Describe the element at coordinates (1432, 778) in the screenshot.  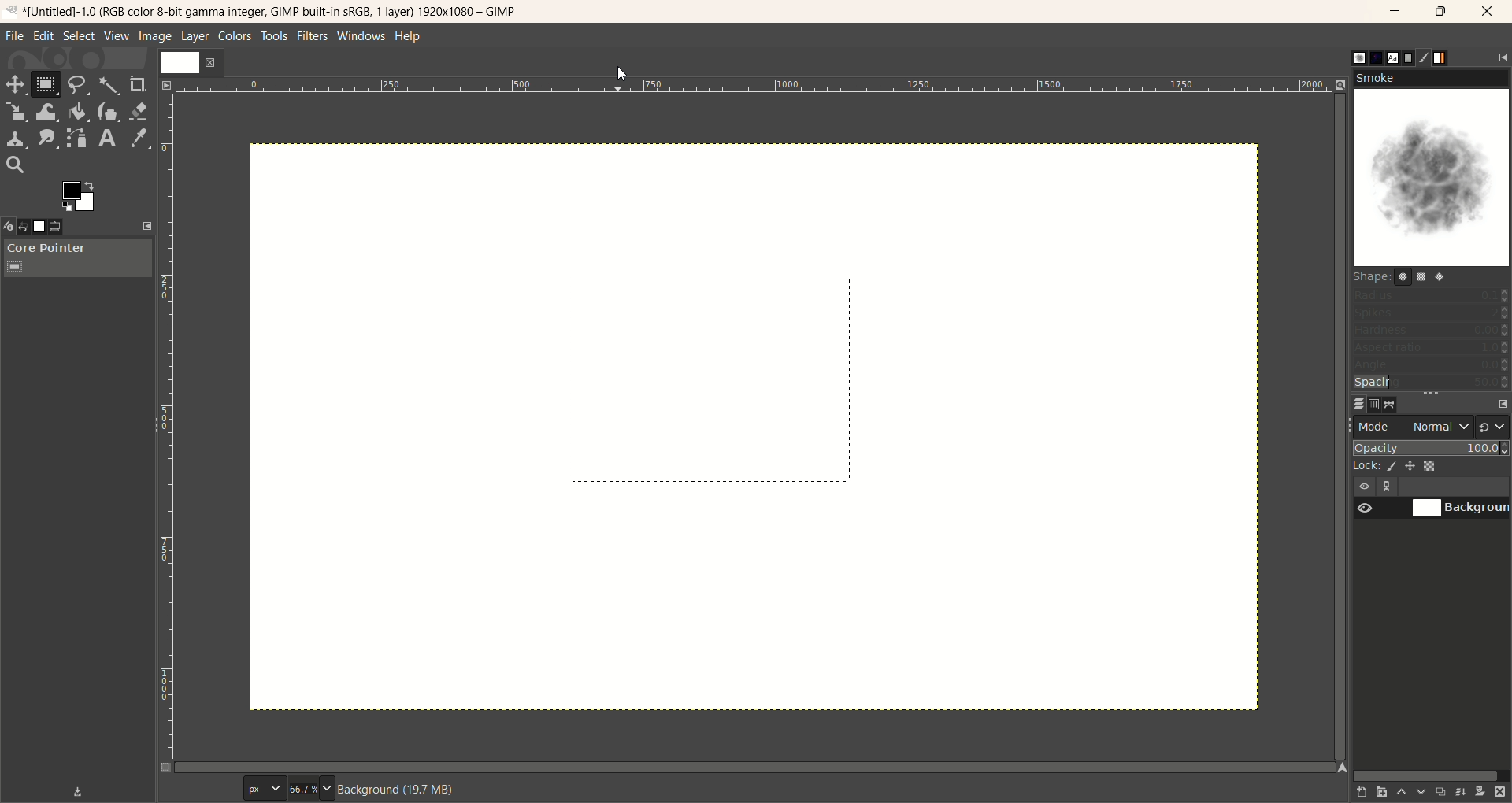
I see `horizontal scroll bar` at that location.